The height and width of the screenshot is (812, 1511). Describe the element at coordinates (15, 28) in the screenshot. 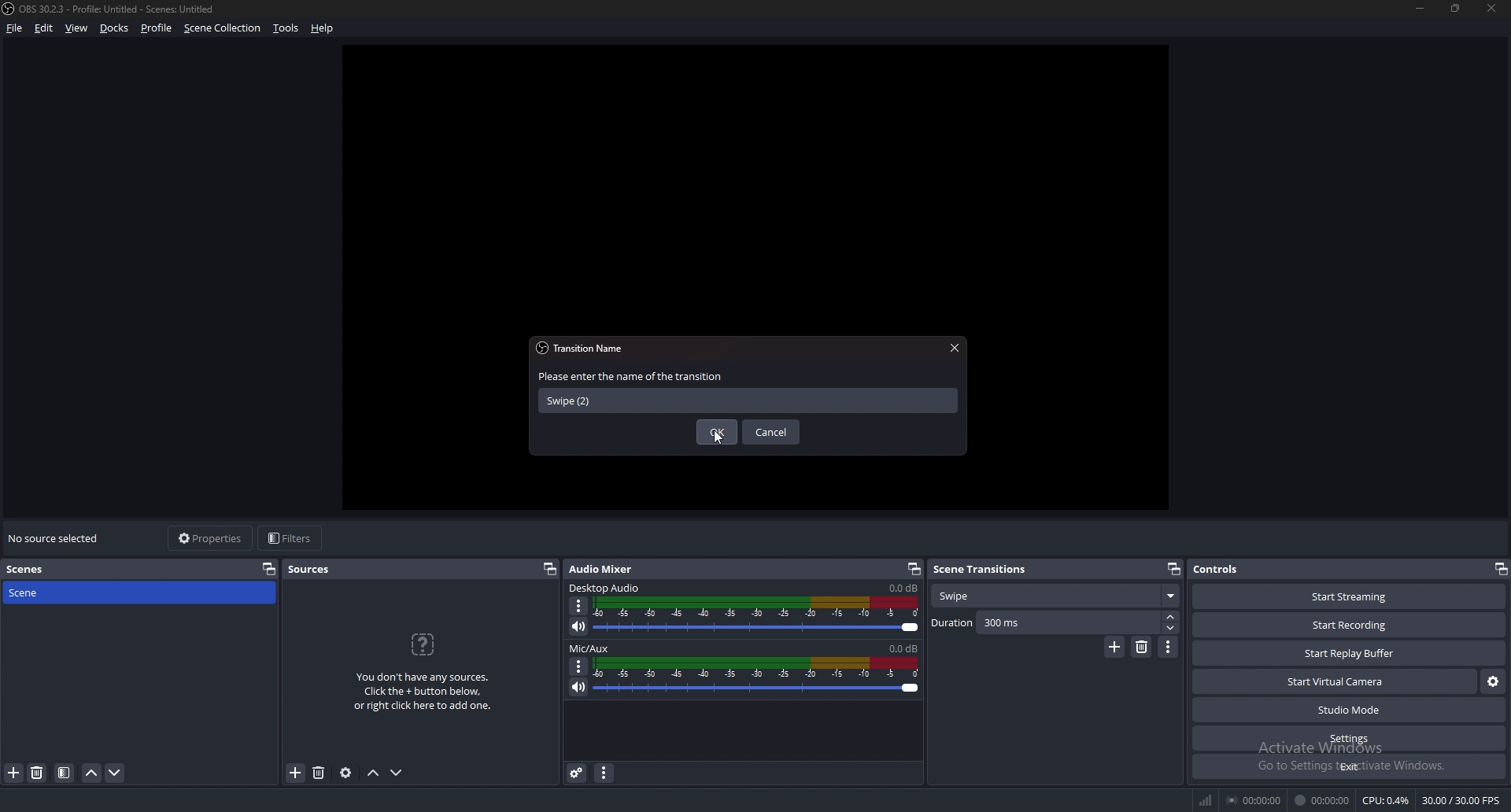

I see `file` at that location.